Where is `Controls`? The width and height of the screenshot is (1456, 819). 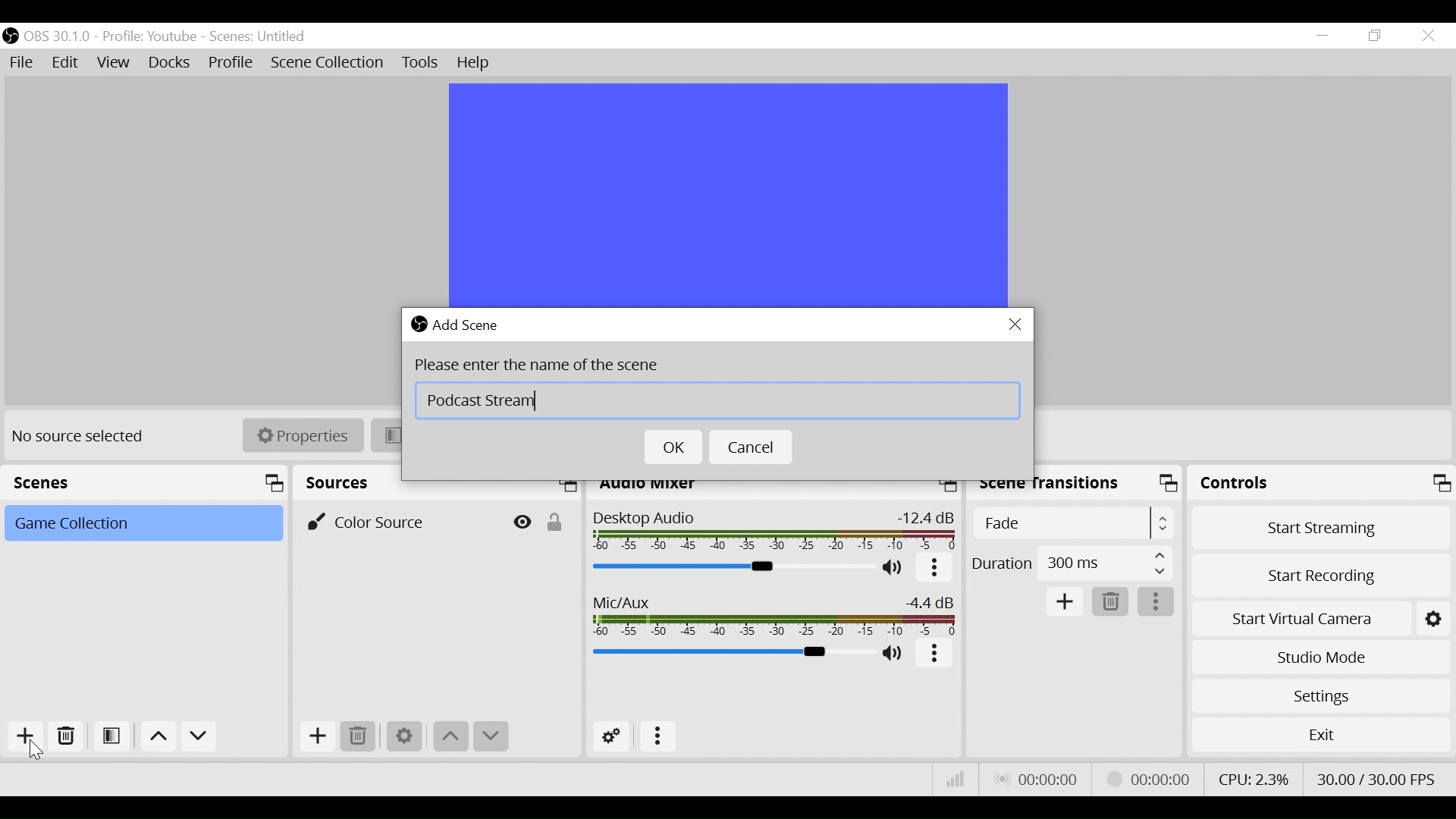
Controls is located at coordinates (1322, 482).